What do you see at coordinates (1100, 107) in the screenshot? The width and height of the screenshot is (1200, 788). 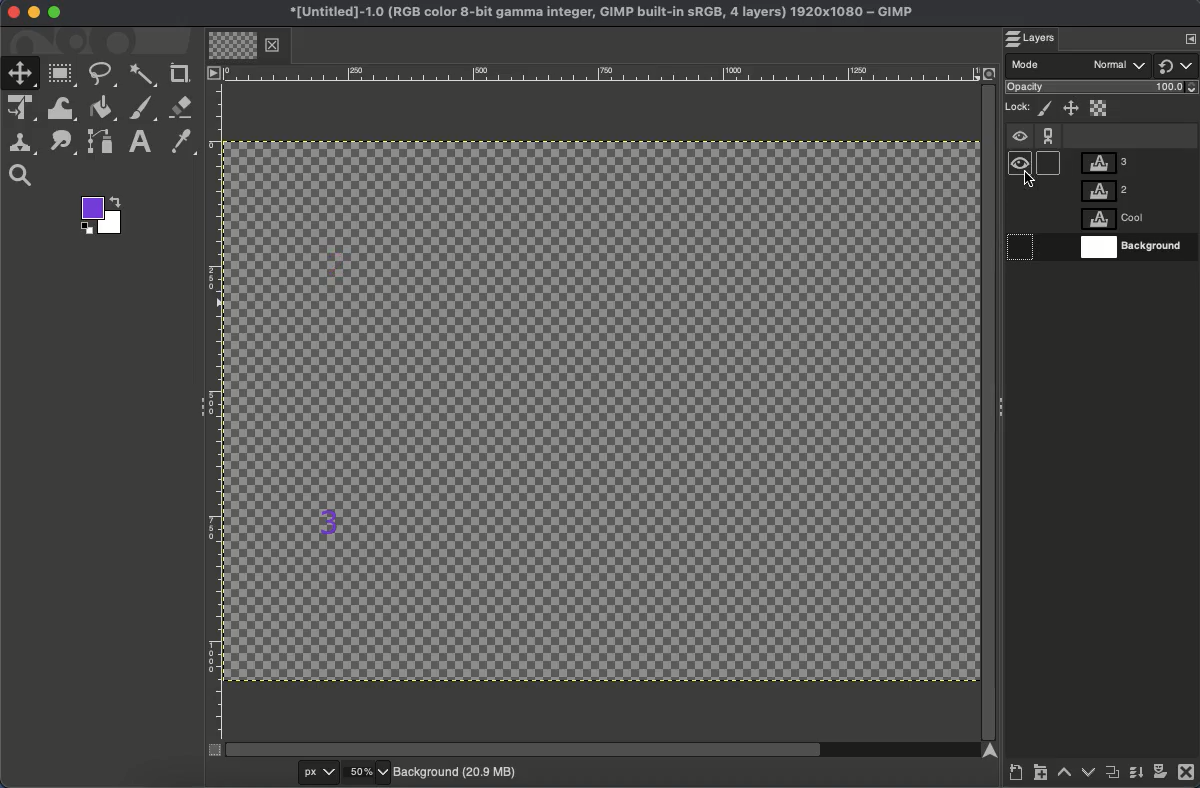 I see `Alpha` at bounding box center [1100, 107].